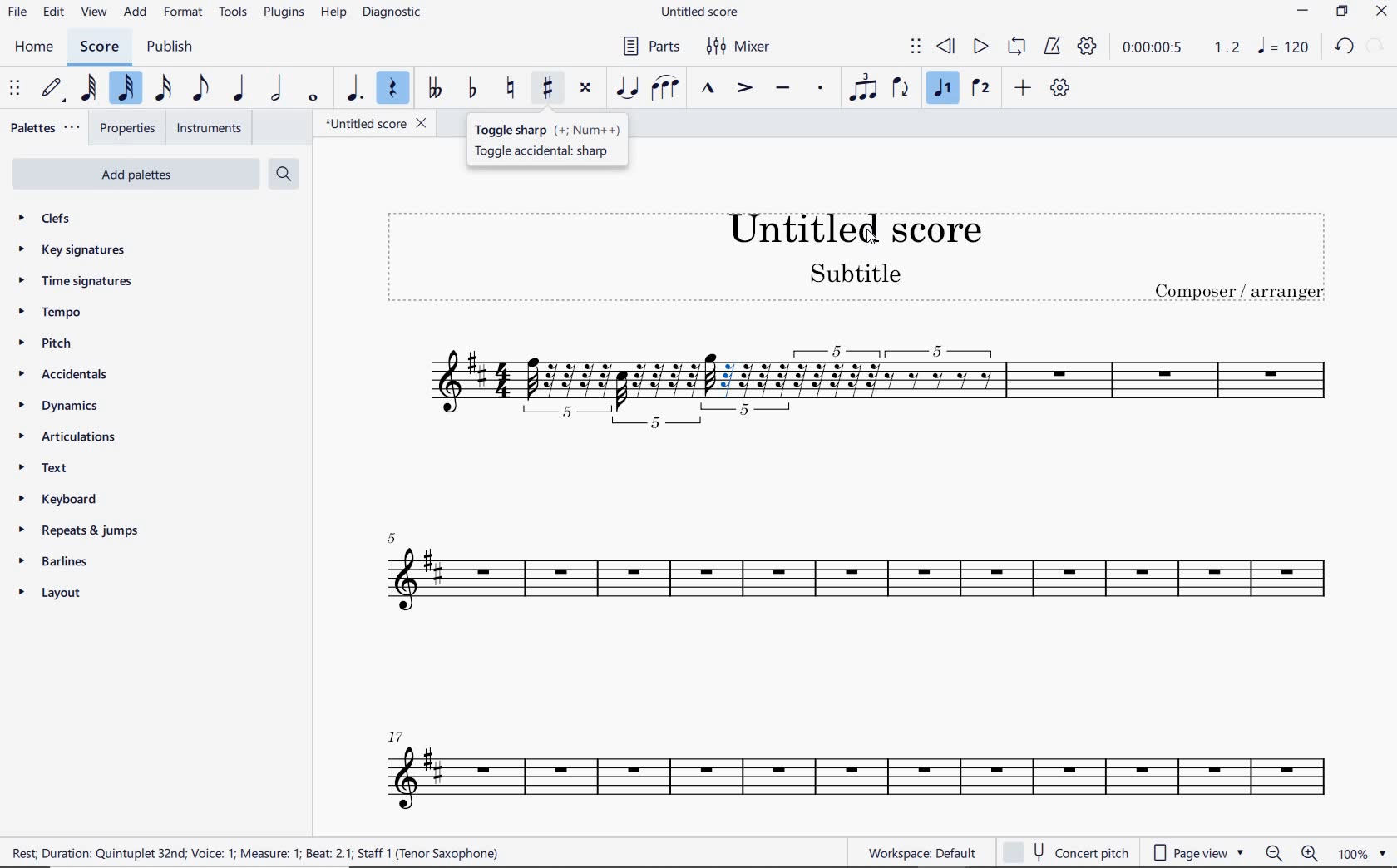 This screenshot has height=868, width=1397. What do you see at coordinates (15, 89) in the screenshot?
I see `SELECET TO MOVE` at bounding box center [15, 89].